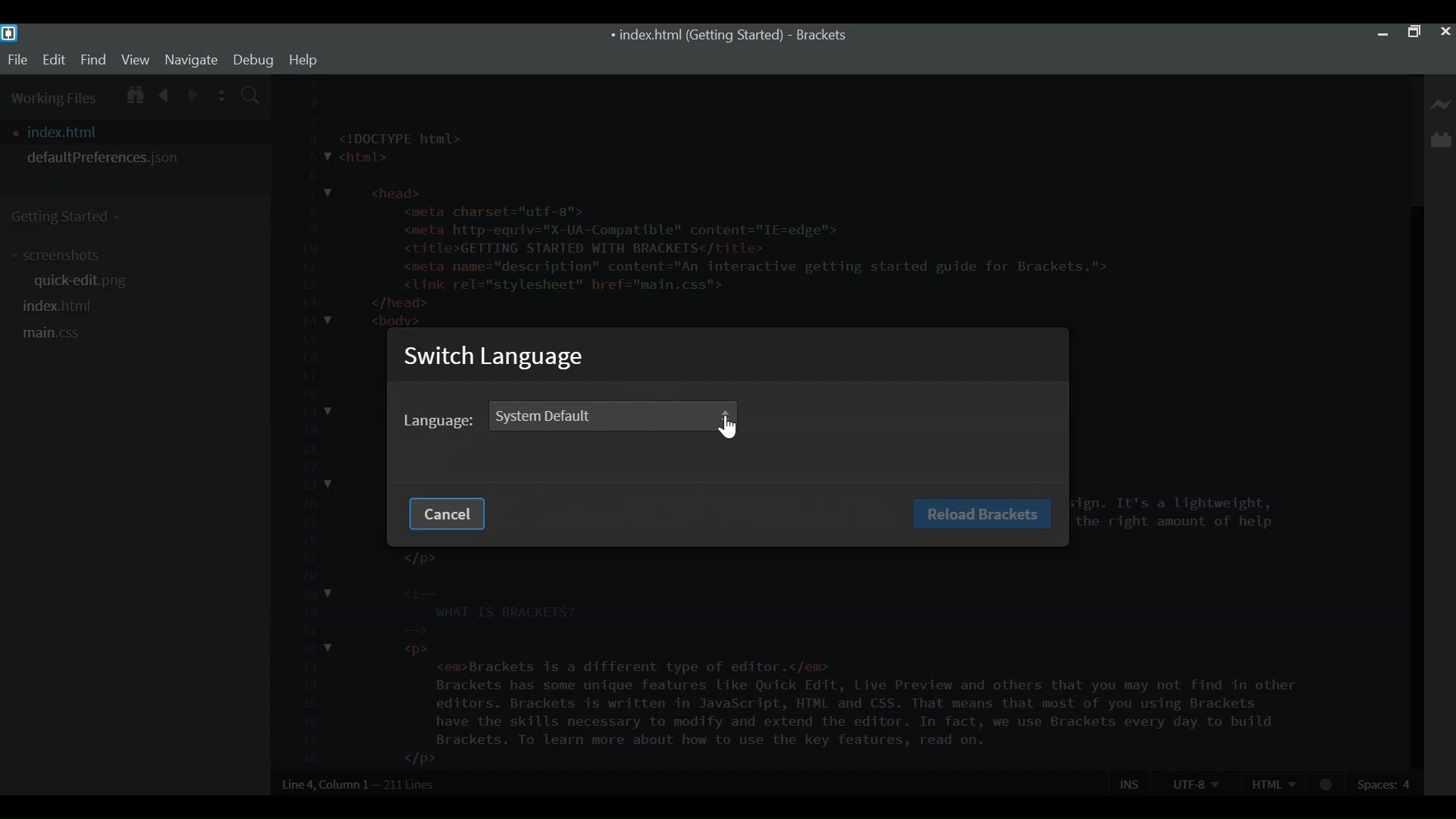  What do you see at coordinates (1131, 783) in the screenshot?
I see `Ins` at bounding box center [1131, 783].